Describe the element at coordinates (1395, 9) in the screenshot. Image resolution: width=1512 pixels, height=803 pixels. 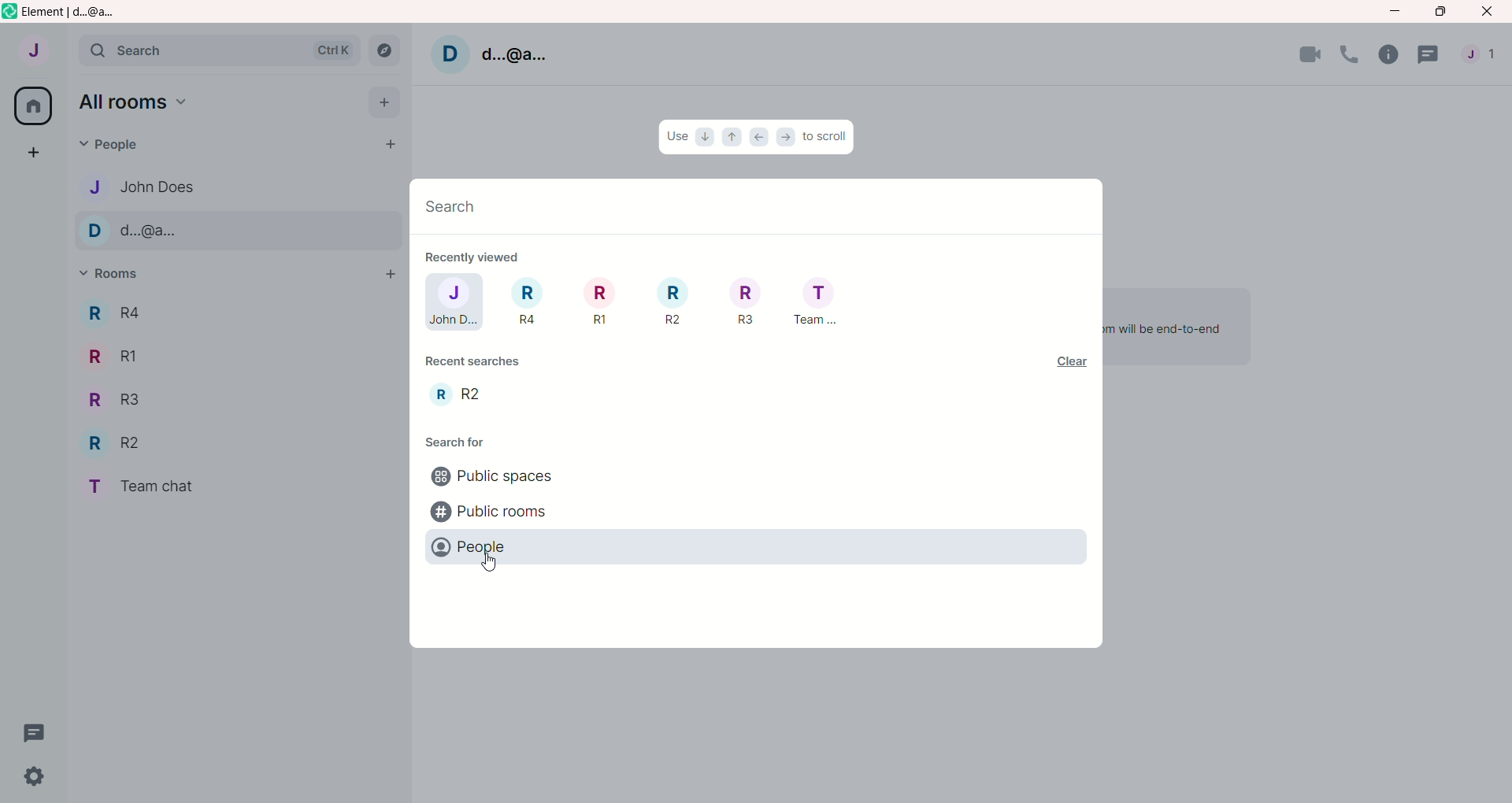
I see `minimize` at that location.